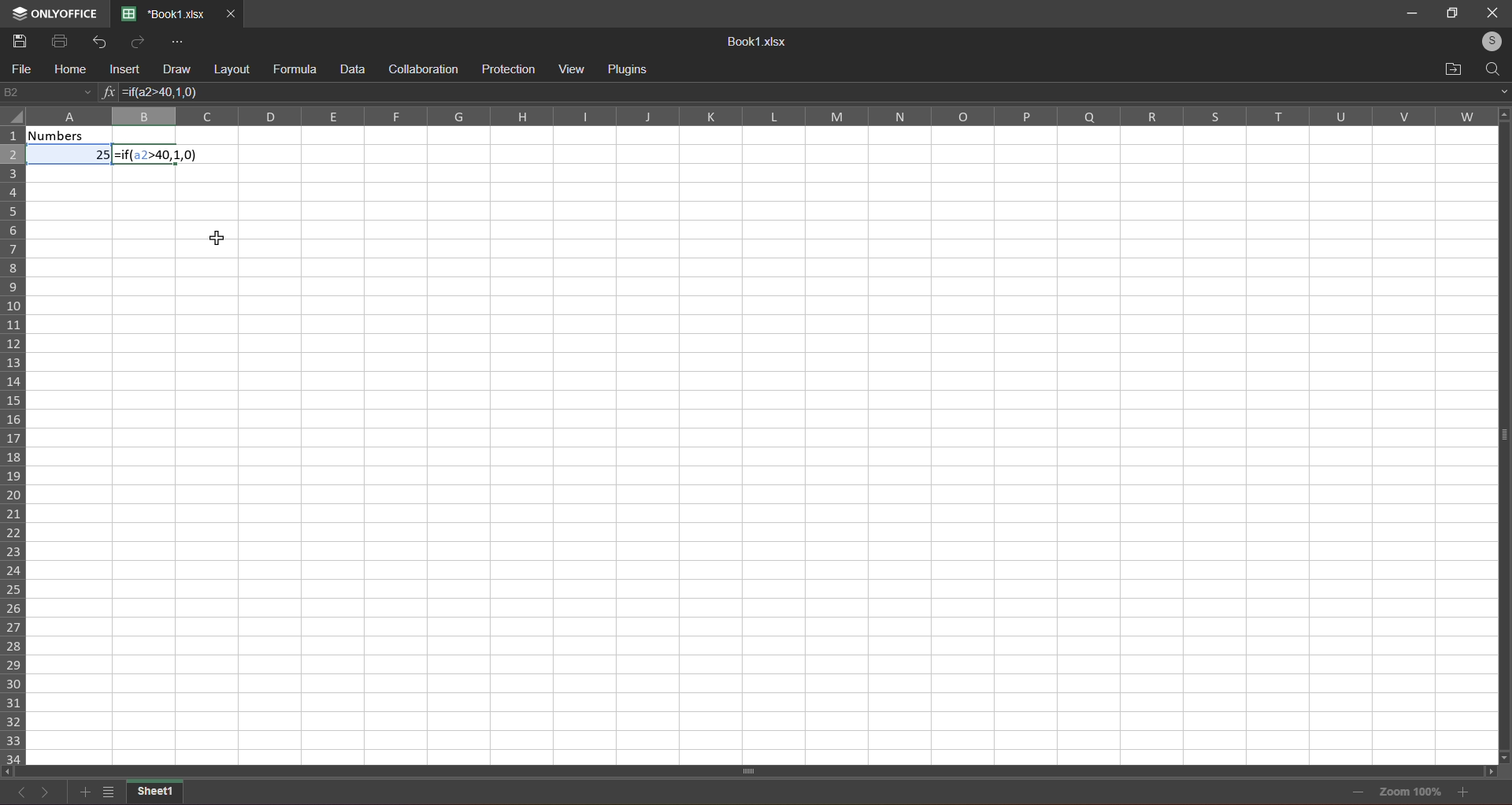 The height and width of the screenshot is (805, 1512). I want to click on list of sheet, so click(106, 795).